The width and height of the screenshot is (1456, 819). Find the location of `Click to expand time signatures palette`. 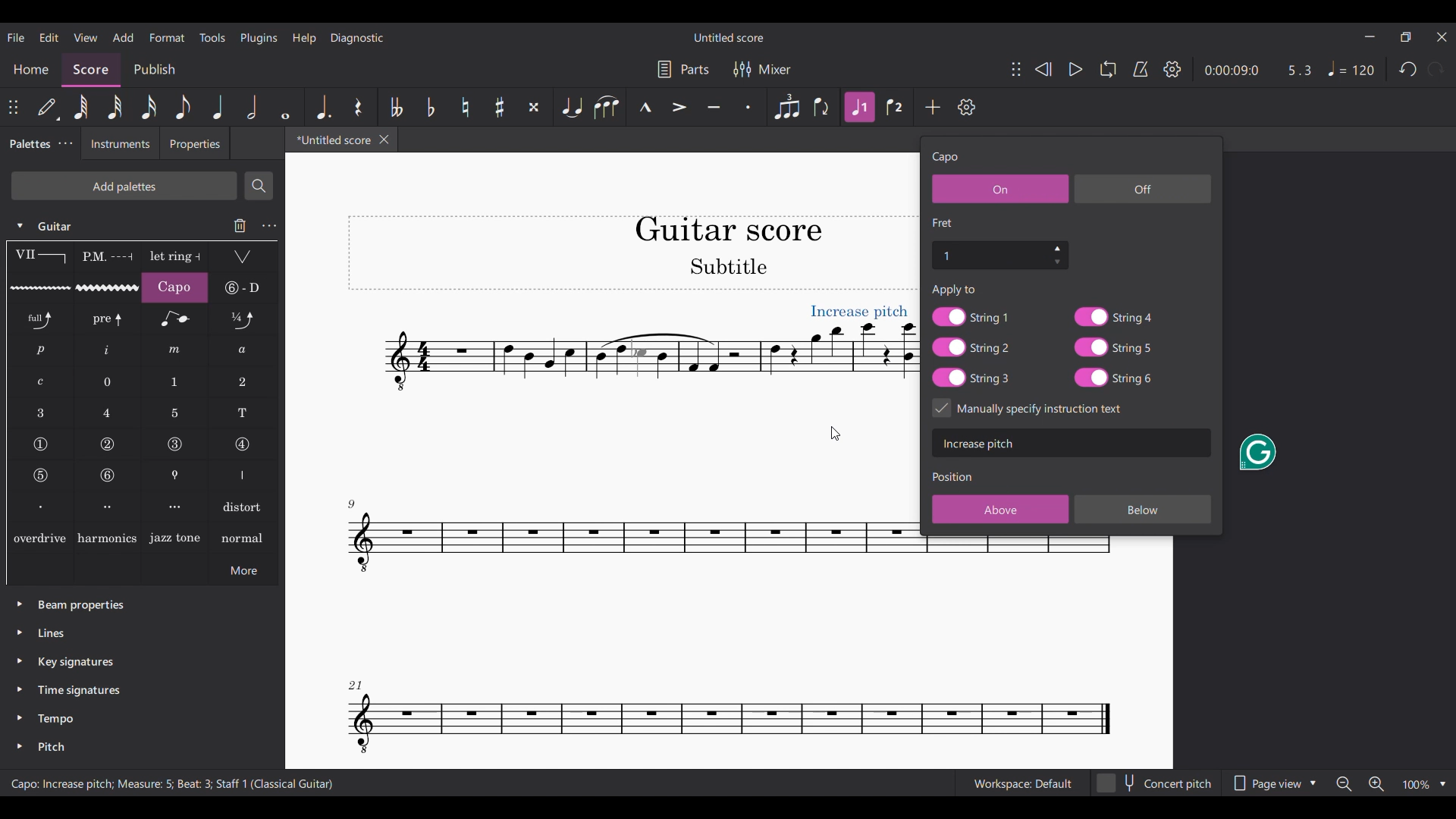

Click to expand time signatures palette is located at coordinates (19, 689).